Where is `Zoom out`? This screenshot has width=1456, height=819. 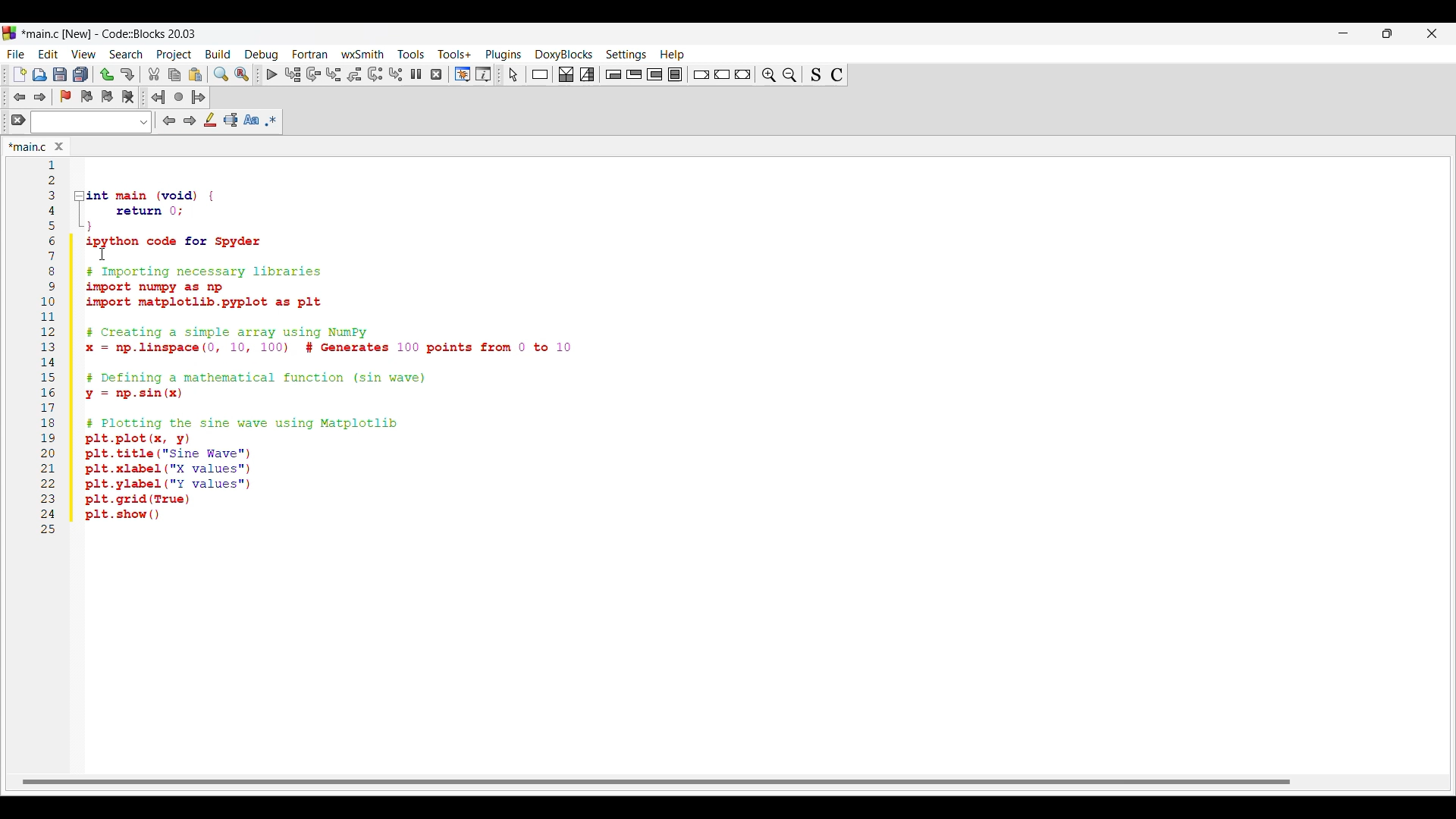 Zoom out is located at coordinates (768, 74).